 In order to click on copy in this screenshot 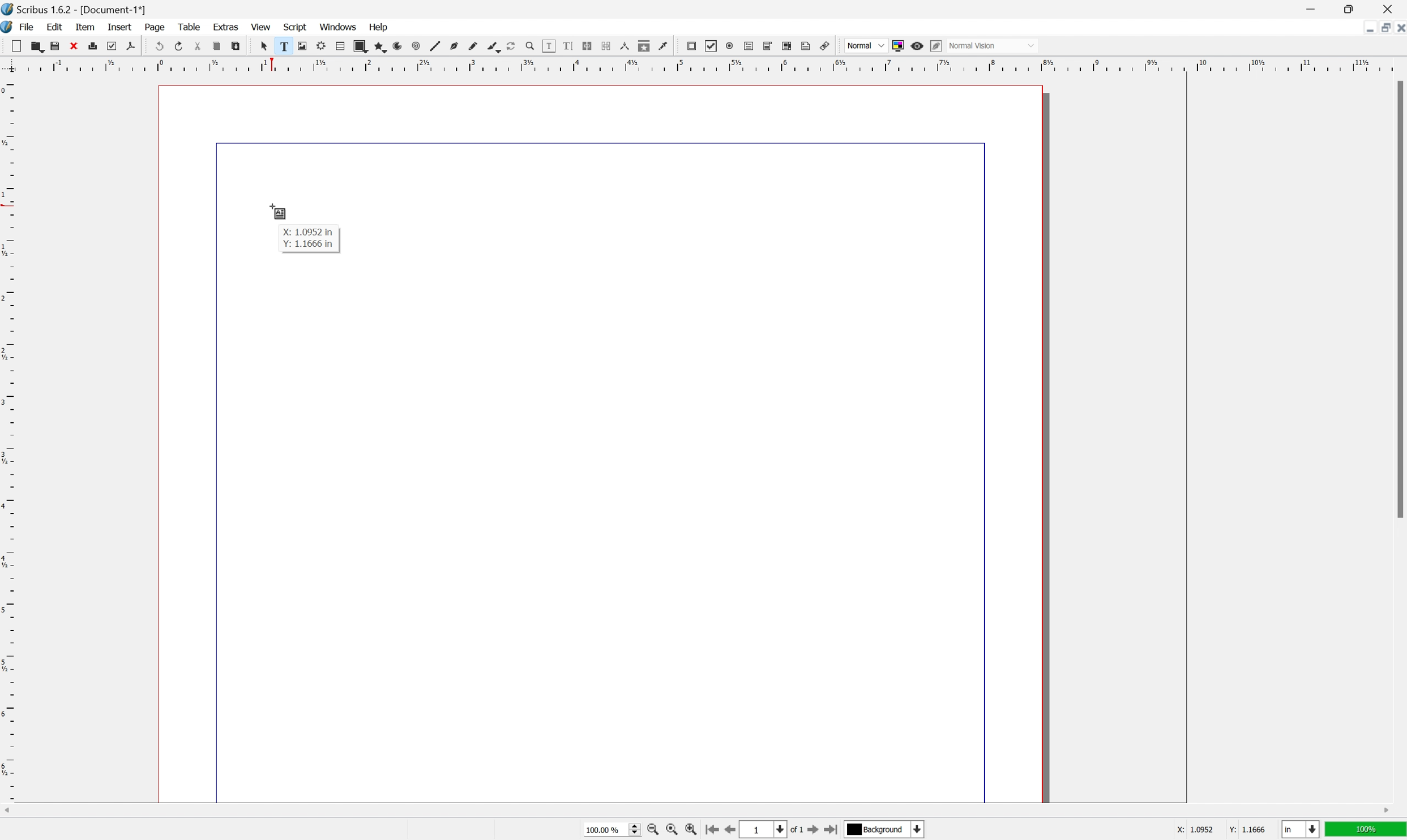, I will do `click(216, 47)`.